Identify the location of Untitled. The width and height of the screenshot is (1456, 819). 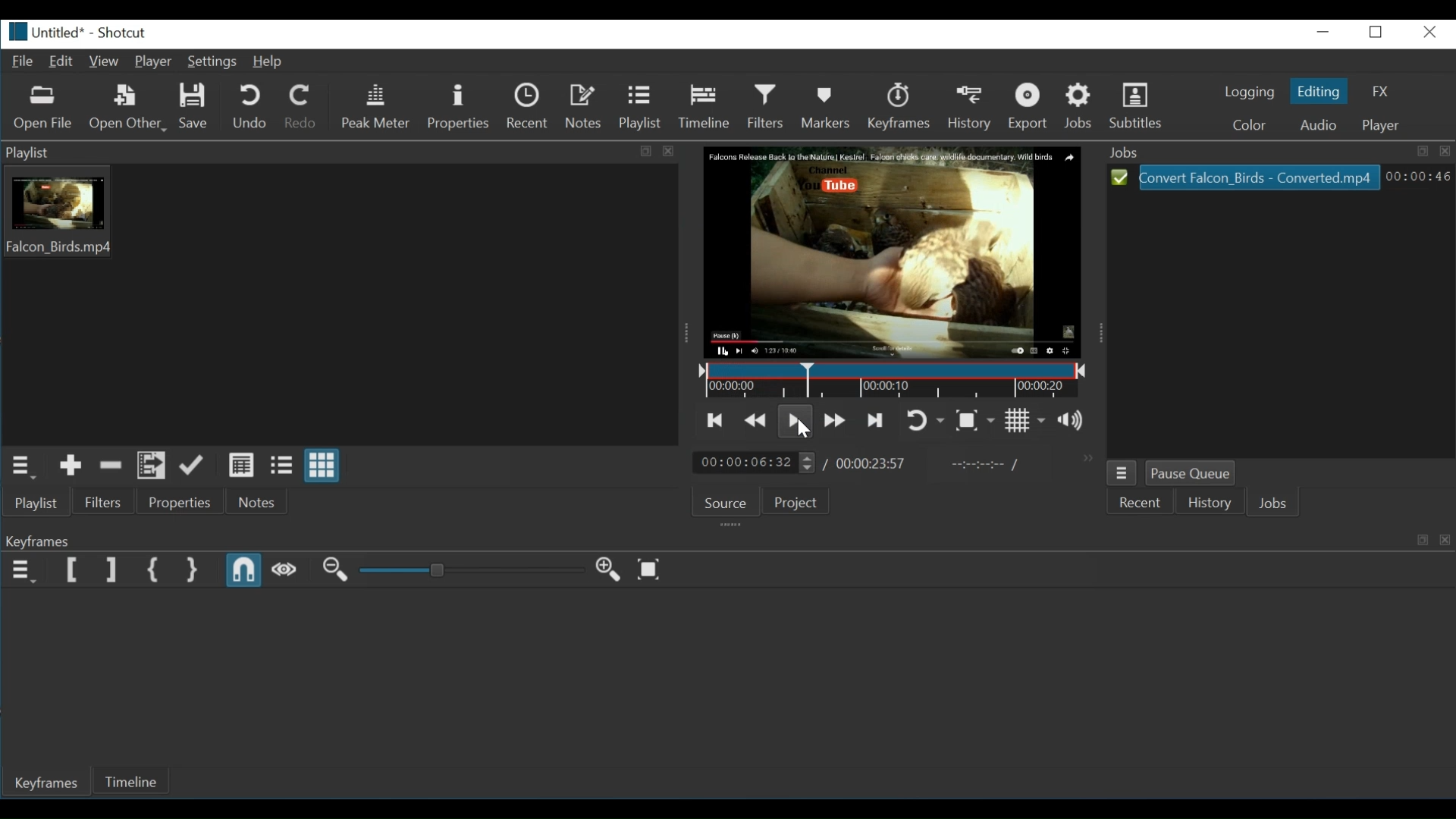
(42, 32).